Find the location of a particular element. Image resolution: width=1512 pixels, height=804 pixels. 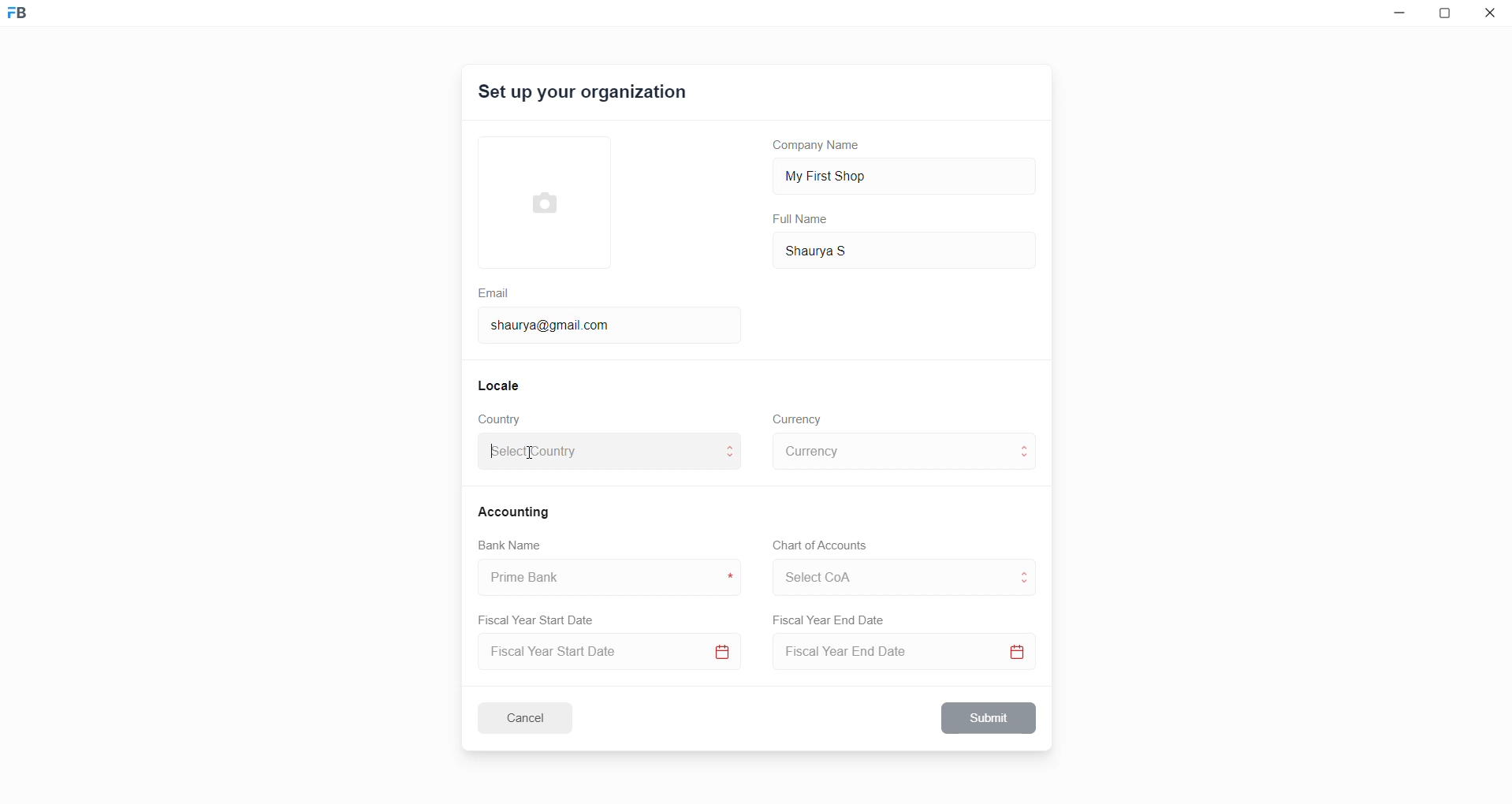

Fiscal Year End Date is located at coordinates (830, 620).